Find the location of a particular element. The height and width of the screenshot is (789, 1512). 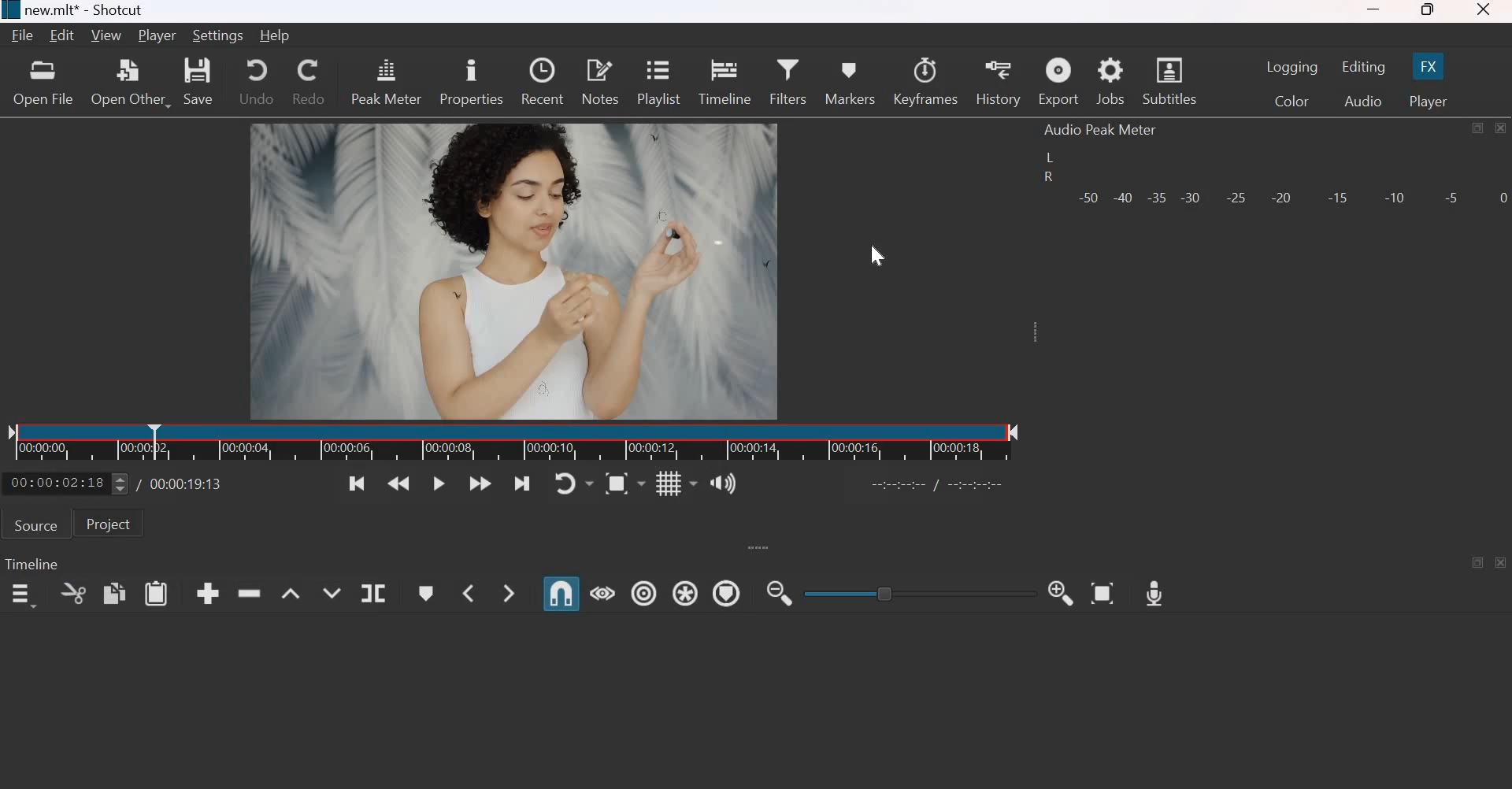

Timeline is located at coordinates (724, 80).